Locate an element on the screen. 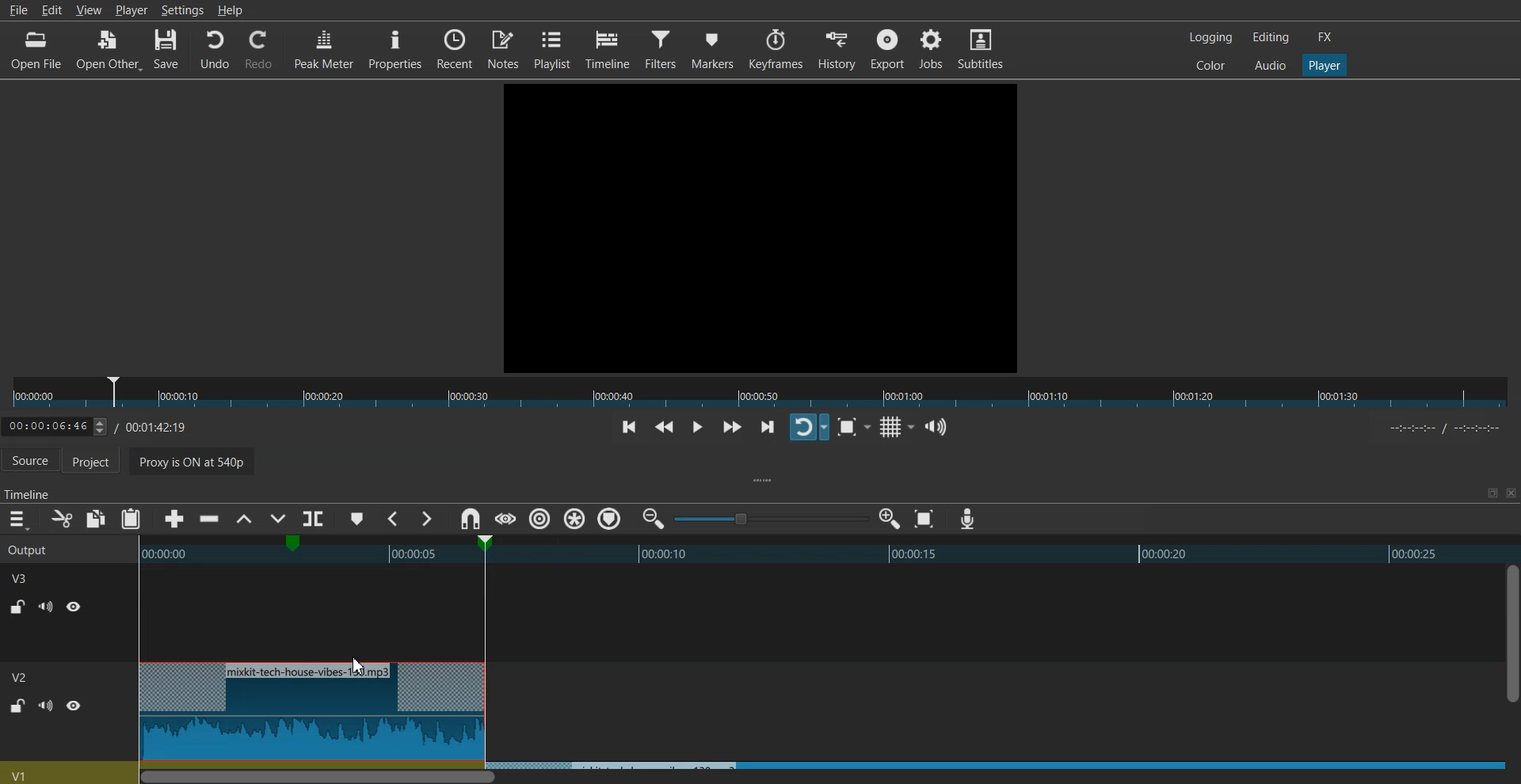  Filters is located at coordinates (663, 48).